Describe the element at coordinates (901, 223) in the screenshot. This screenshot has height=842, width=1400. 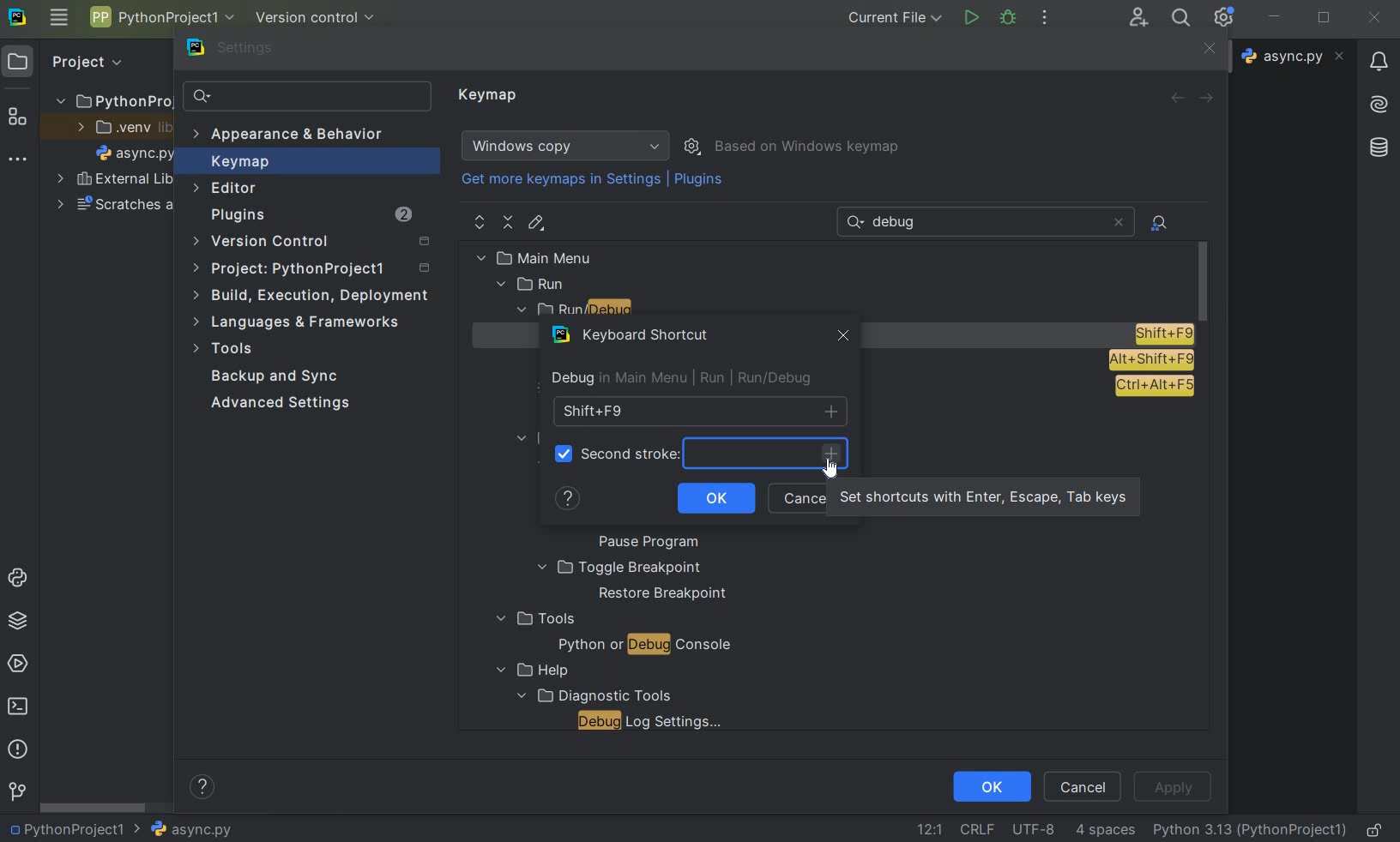
I see `text` at that location.